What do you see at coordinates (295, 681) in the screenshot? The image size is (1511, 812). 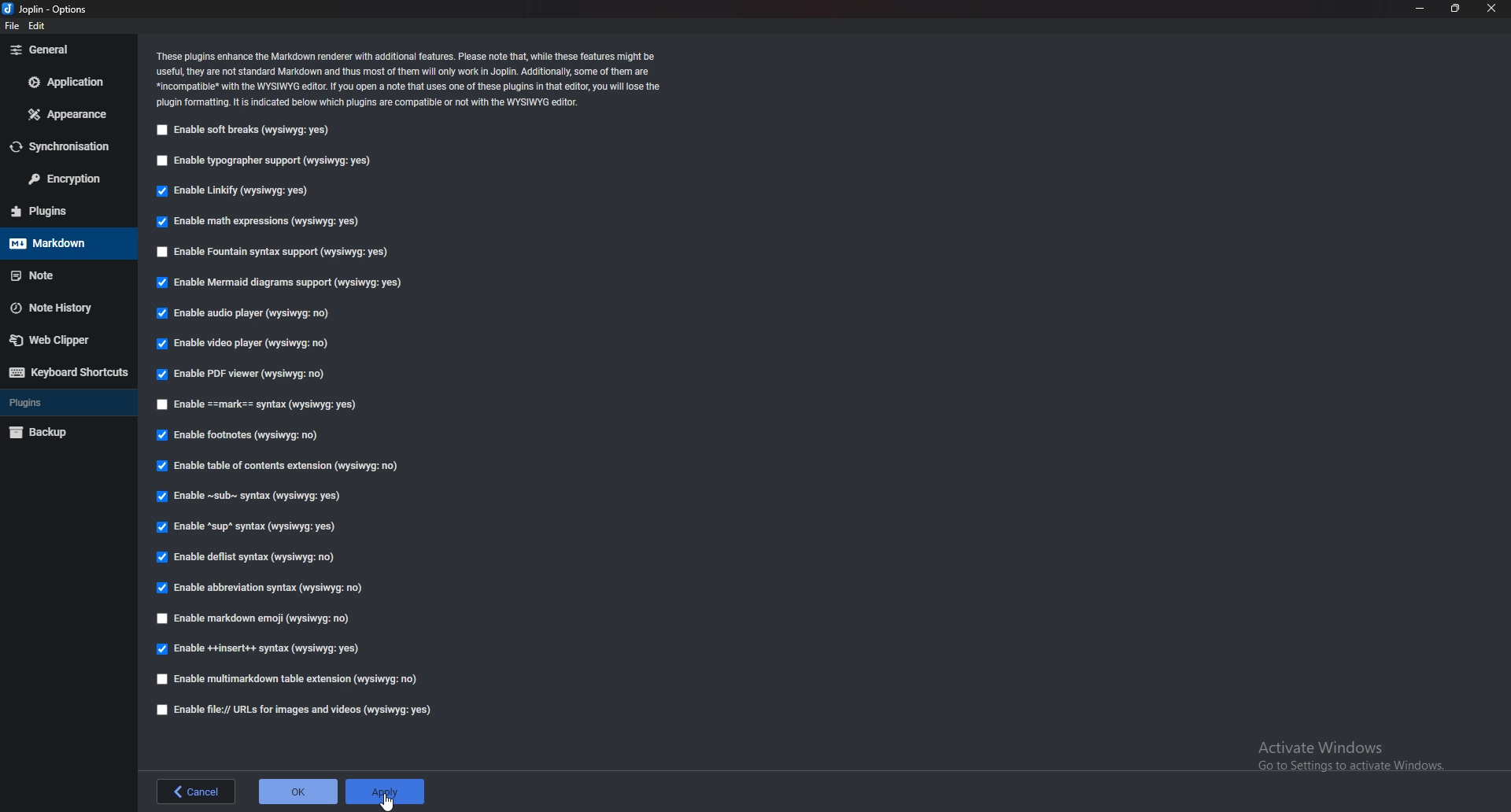 I see `enable multimarkdown table extensions` at bounding box center [295, 681].